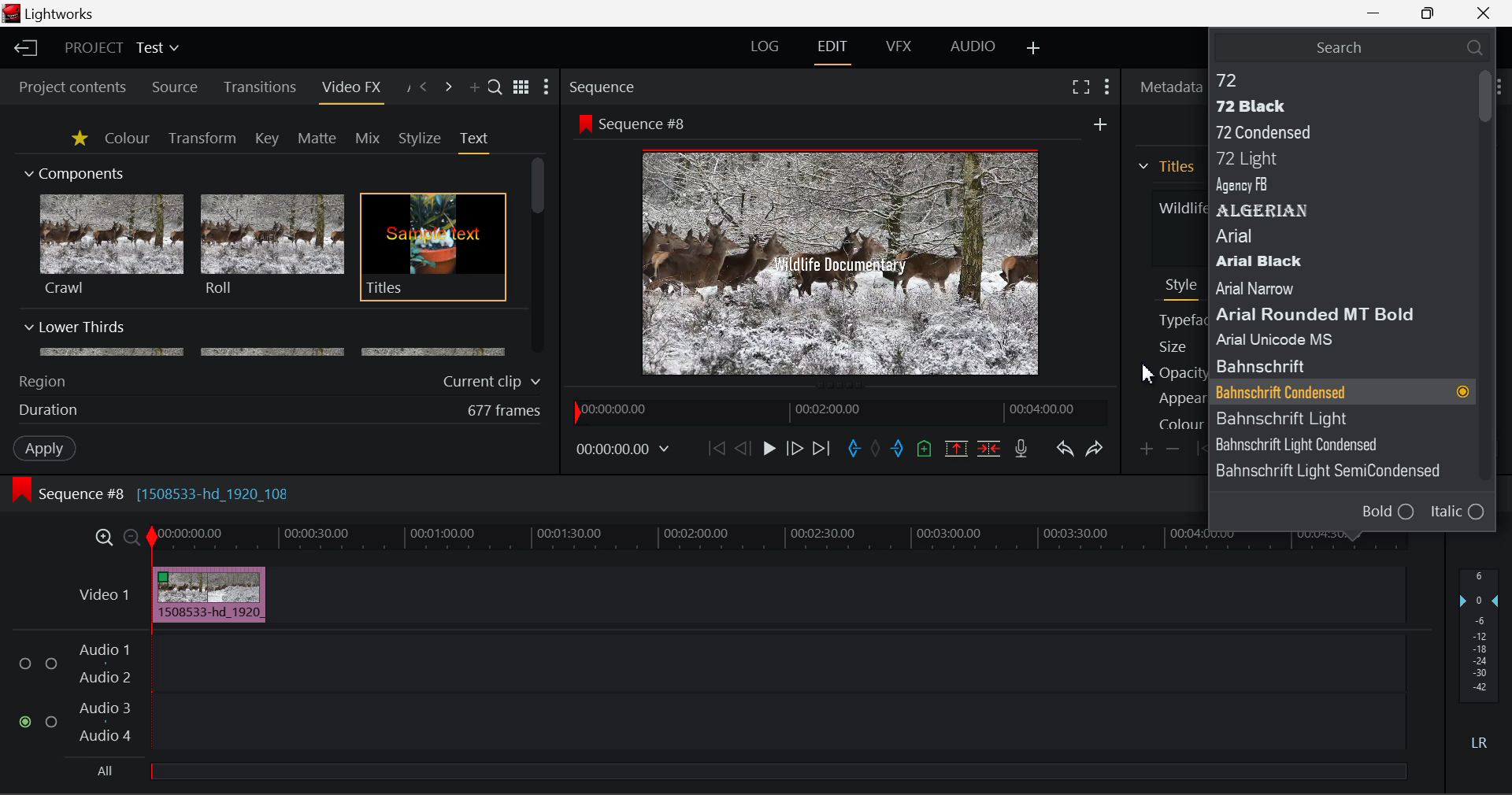  I want to click on Current clip, so click(495, 382).